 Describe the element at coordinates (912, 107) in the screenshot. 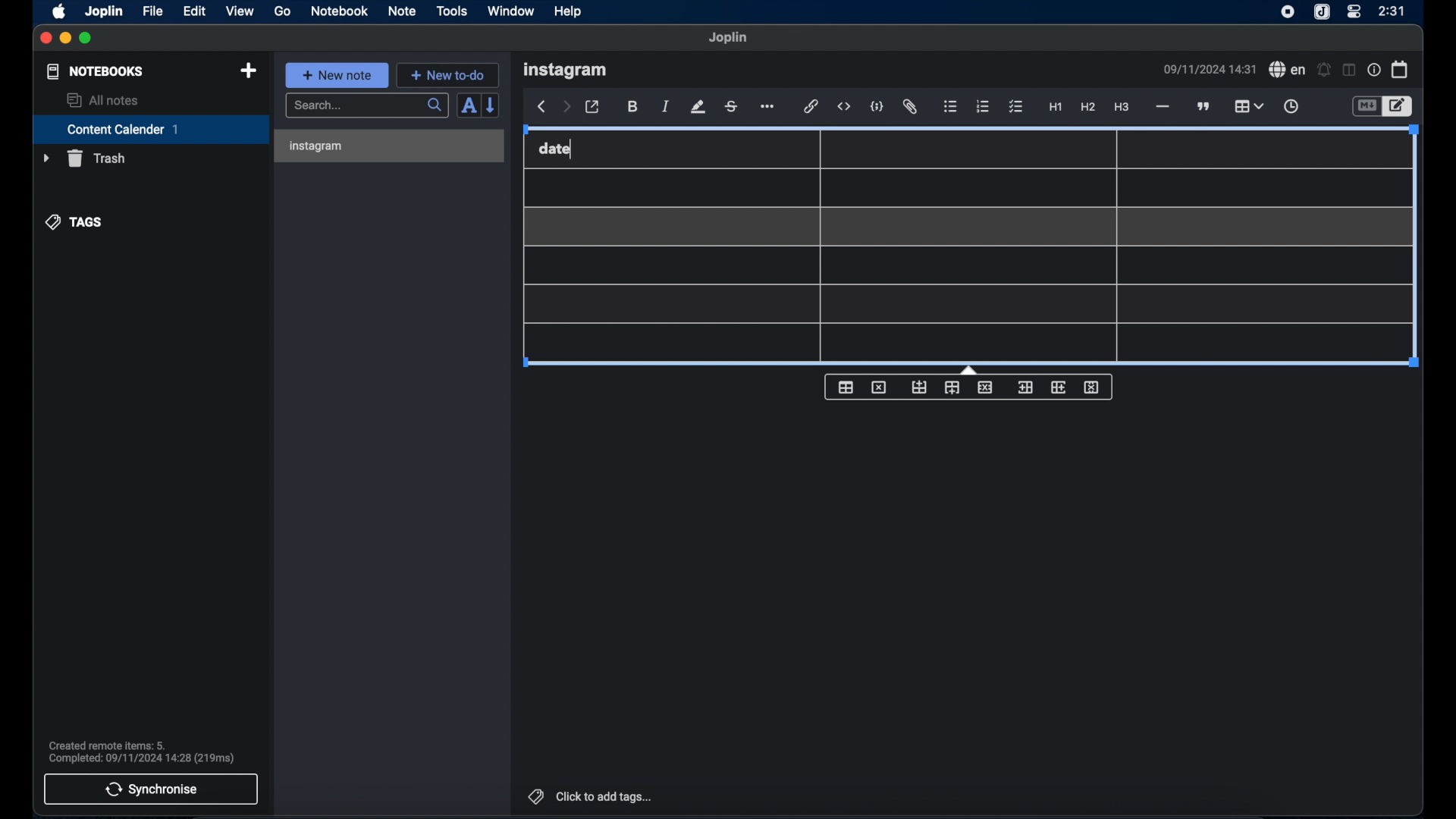

I see `attach file` at that location.